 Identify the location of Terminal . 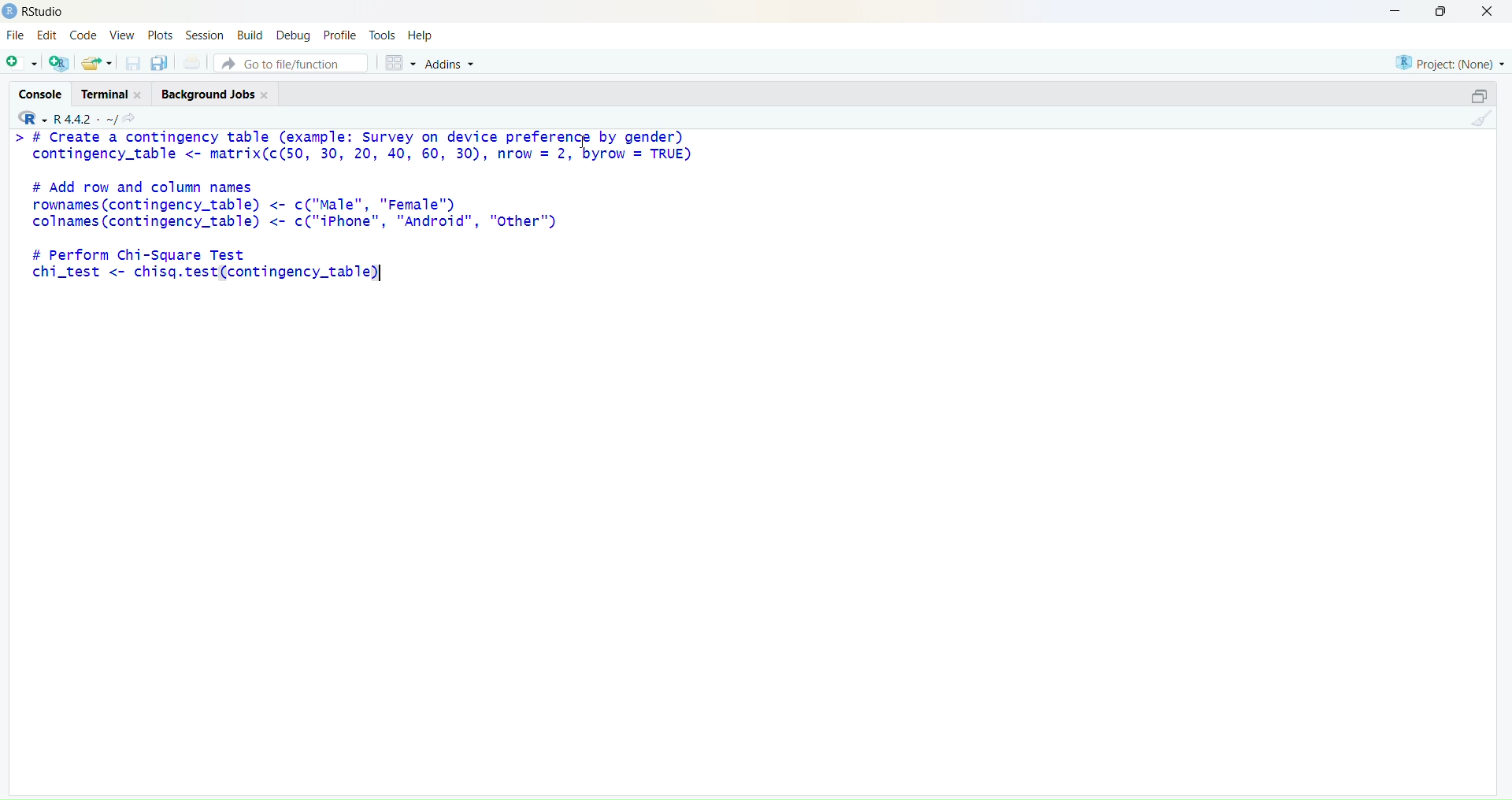
(104, 94).